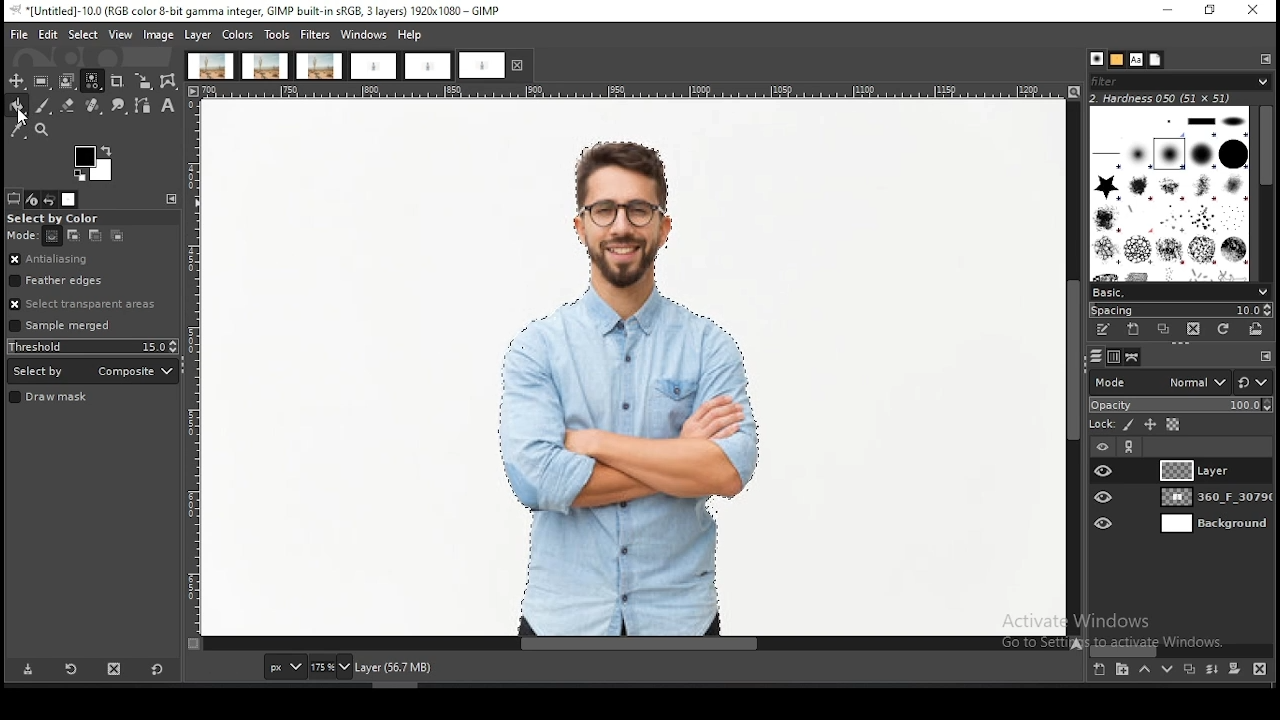 The image size is (1280, 720). Describe the element at coordinates (1178, 311) in the screenshot. I see `spacing` at that location.